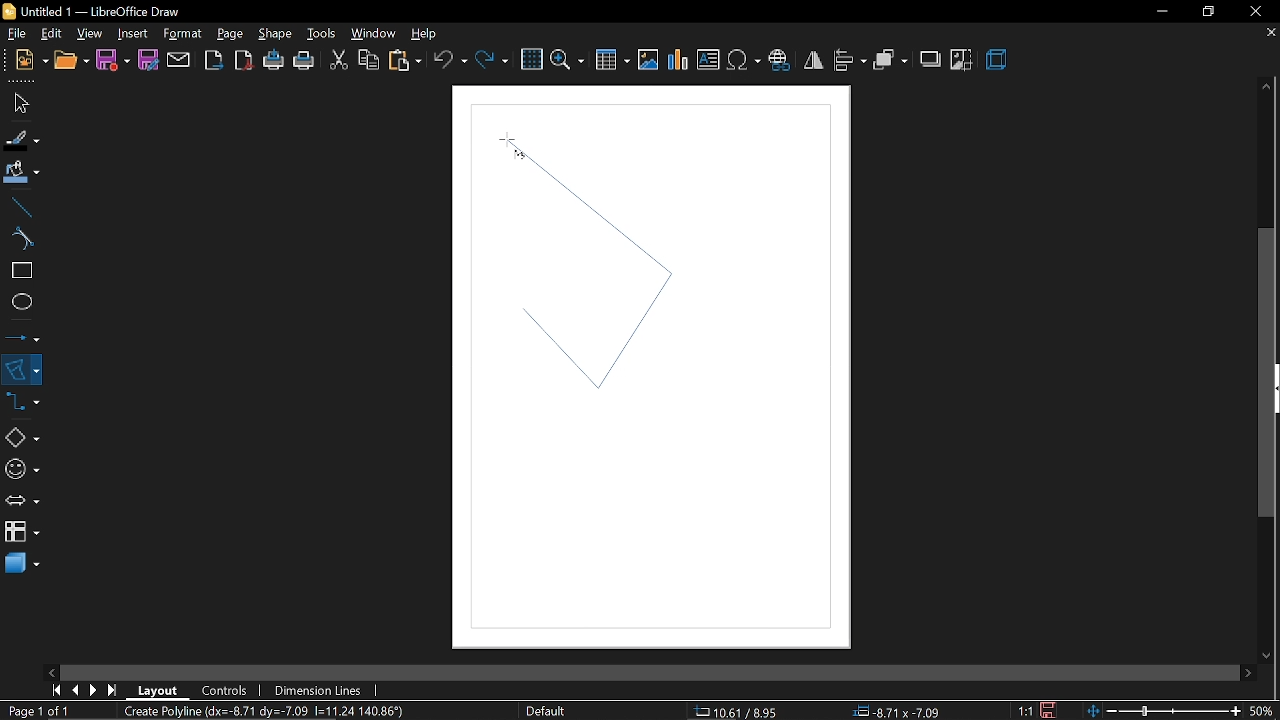 This screenshot has height=720, width=1280. Describe the element at coordinates (1268, 373) in the screenshot. I see `vertical scrollbar` at that location.